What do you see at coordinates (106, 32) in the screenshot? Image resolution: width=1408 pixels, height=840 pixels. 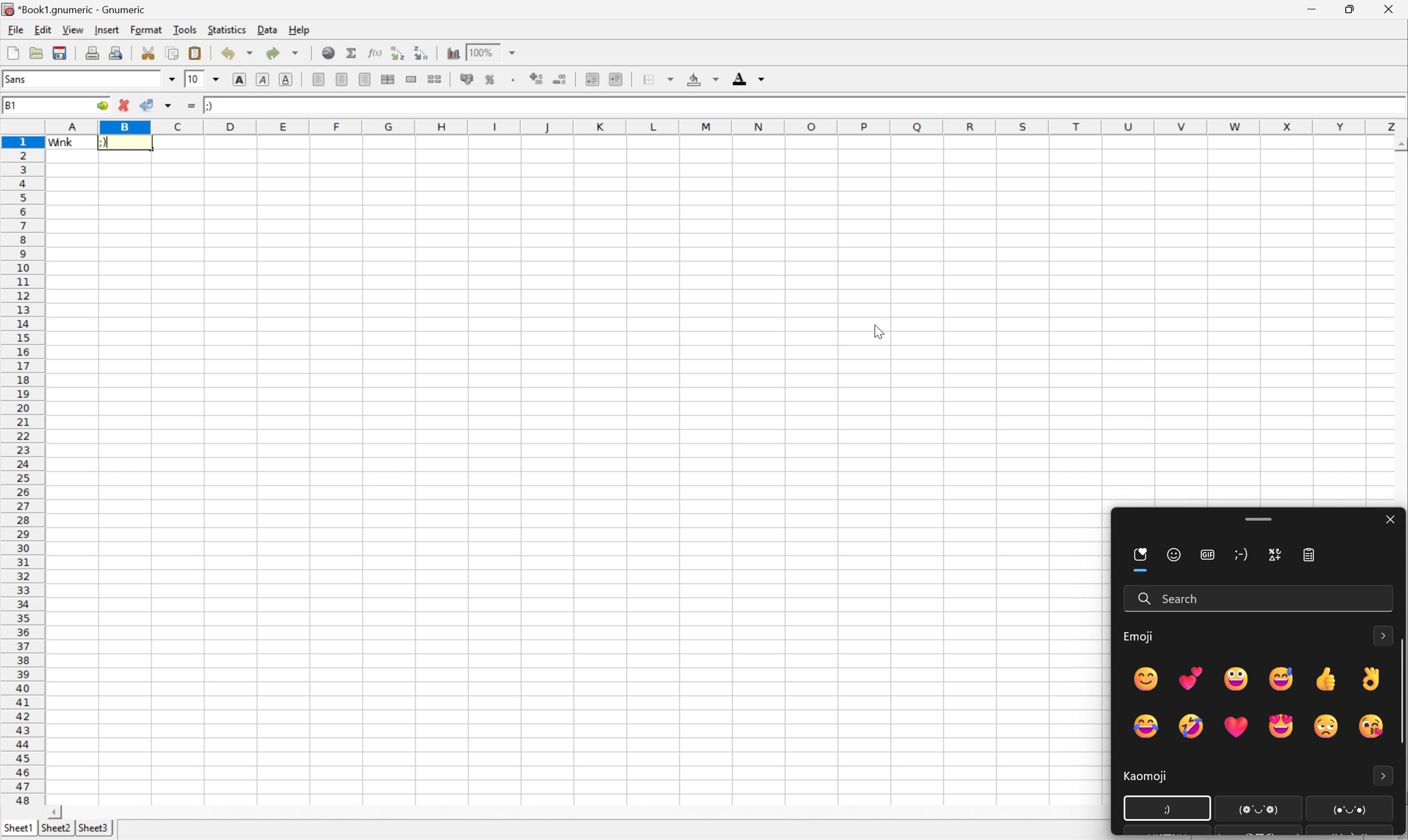 I see `insert` at bounding box center [106, 32].